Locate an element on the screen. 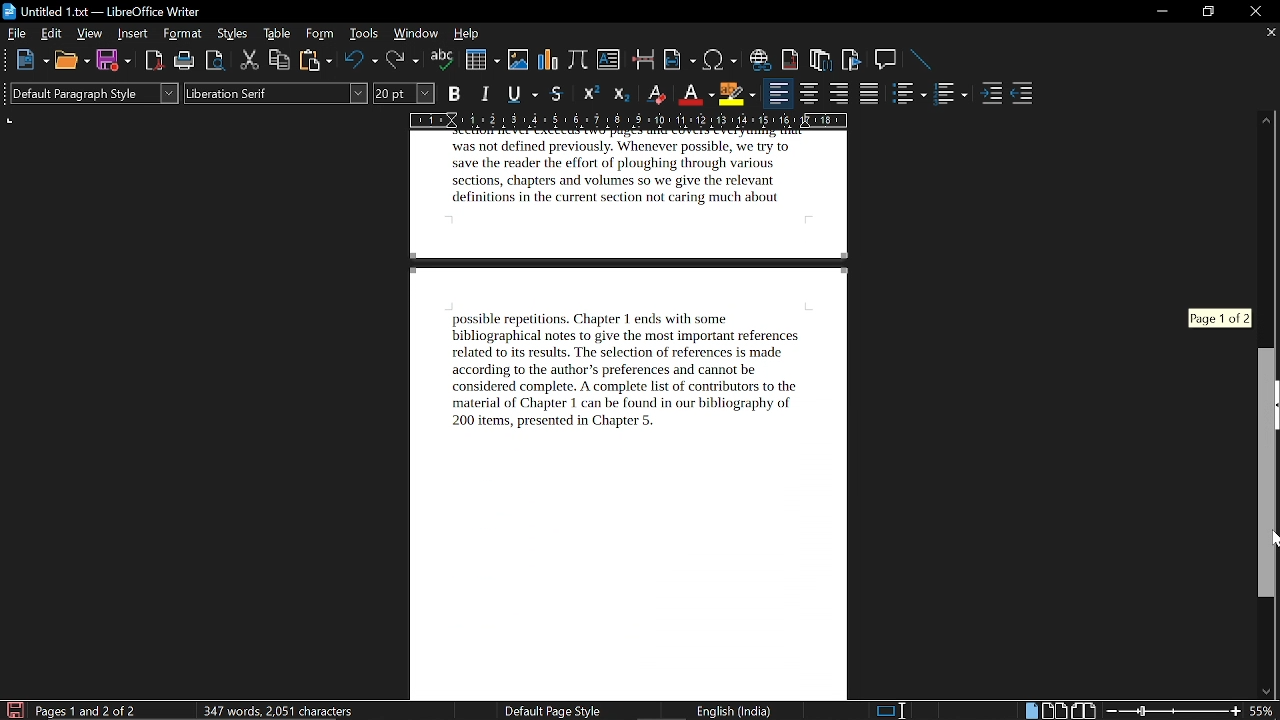 This screenshot has height=720, width=1280. close is located at coordinates (1252, 11).